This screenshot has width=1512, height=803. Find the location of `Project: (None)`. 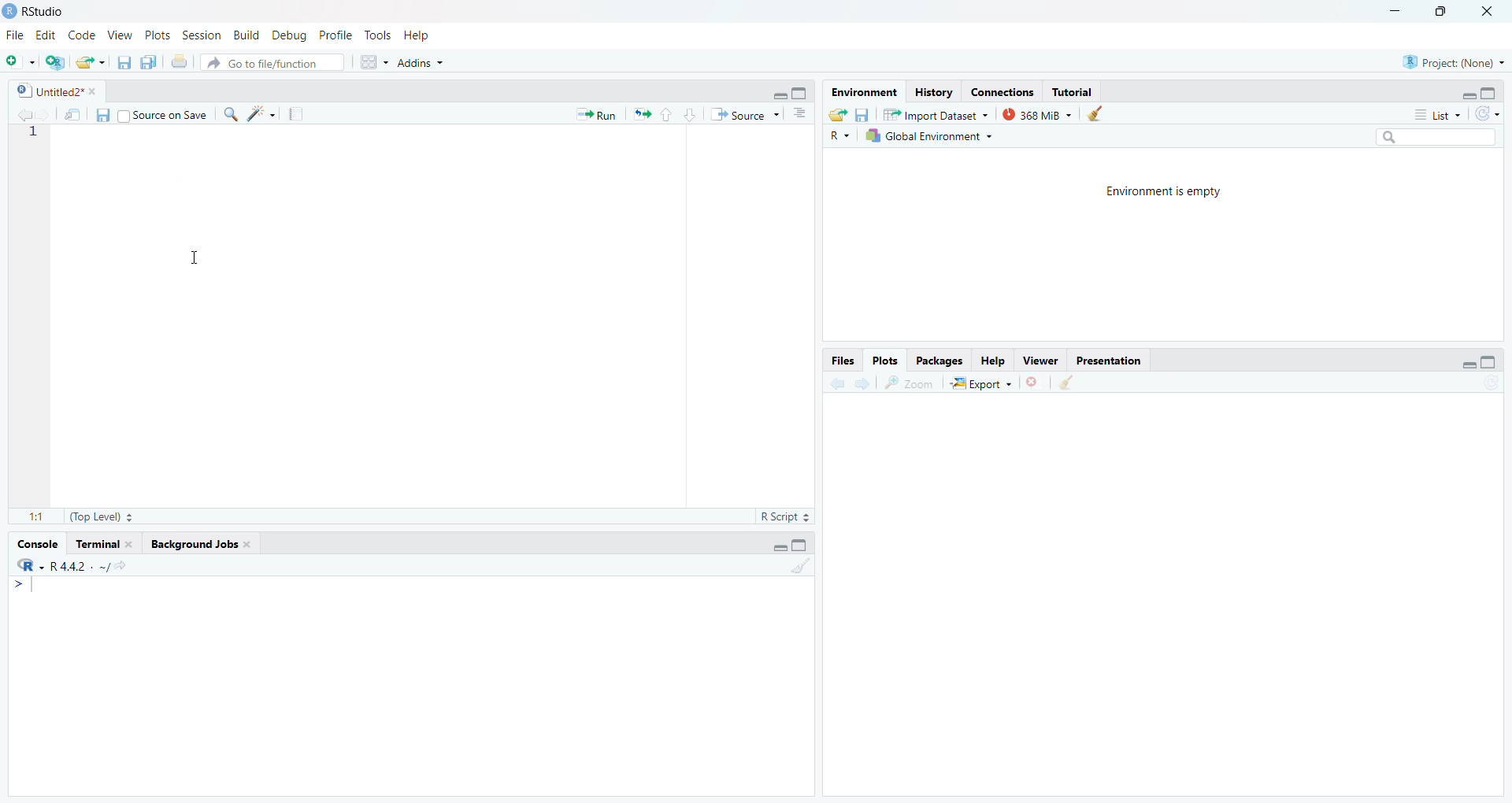

Project: (None) is located at coordinates (1452, 62).